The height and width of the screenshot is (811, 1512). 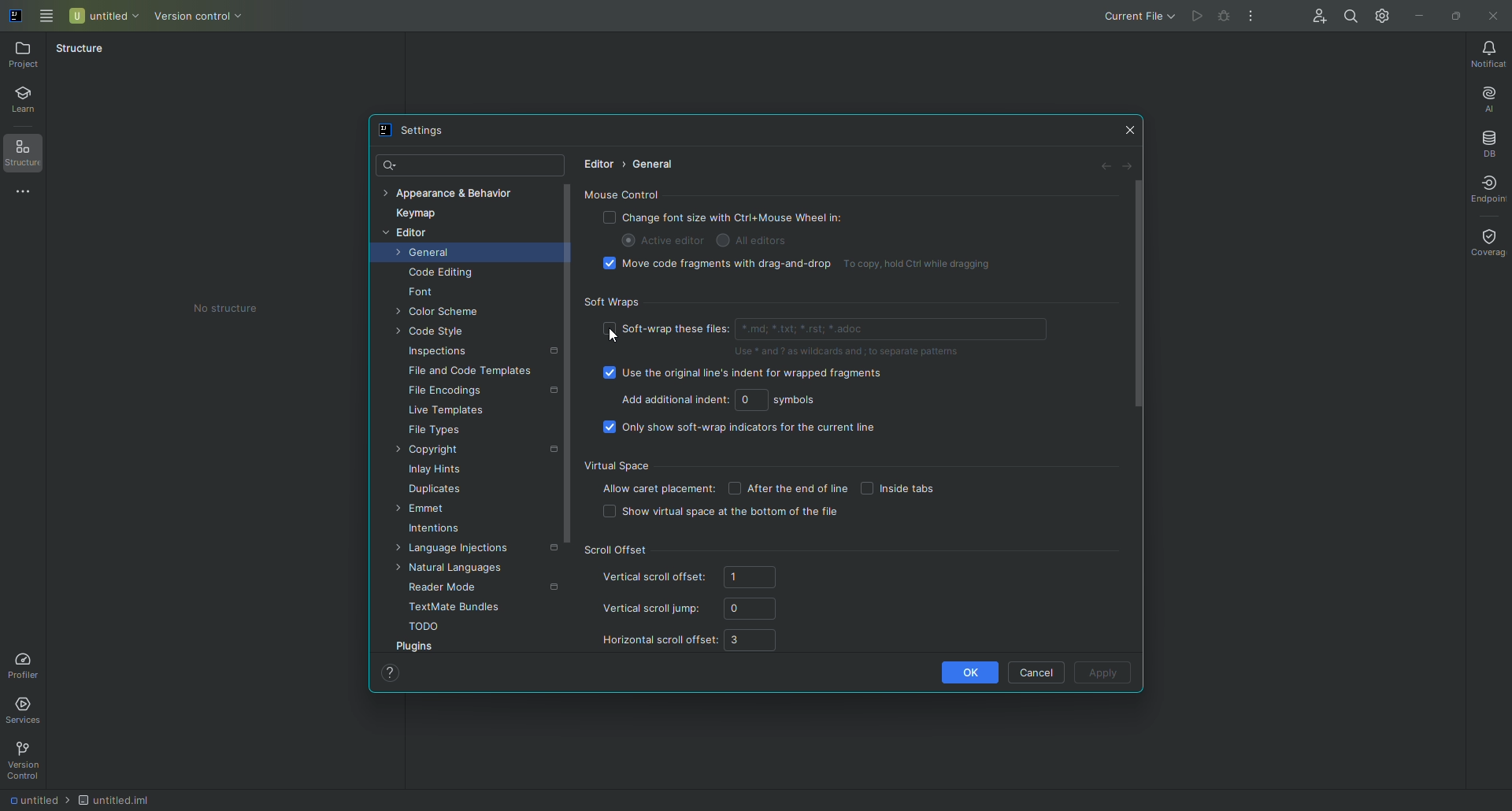 I want to click on Code Editing, so click(x=443, y=273).